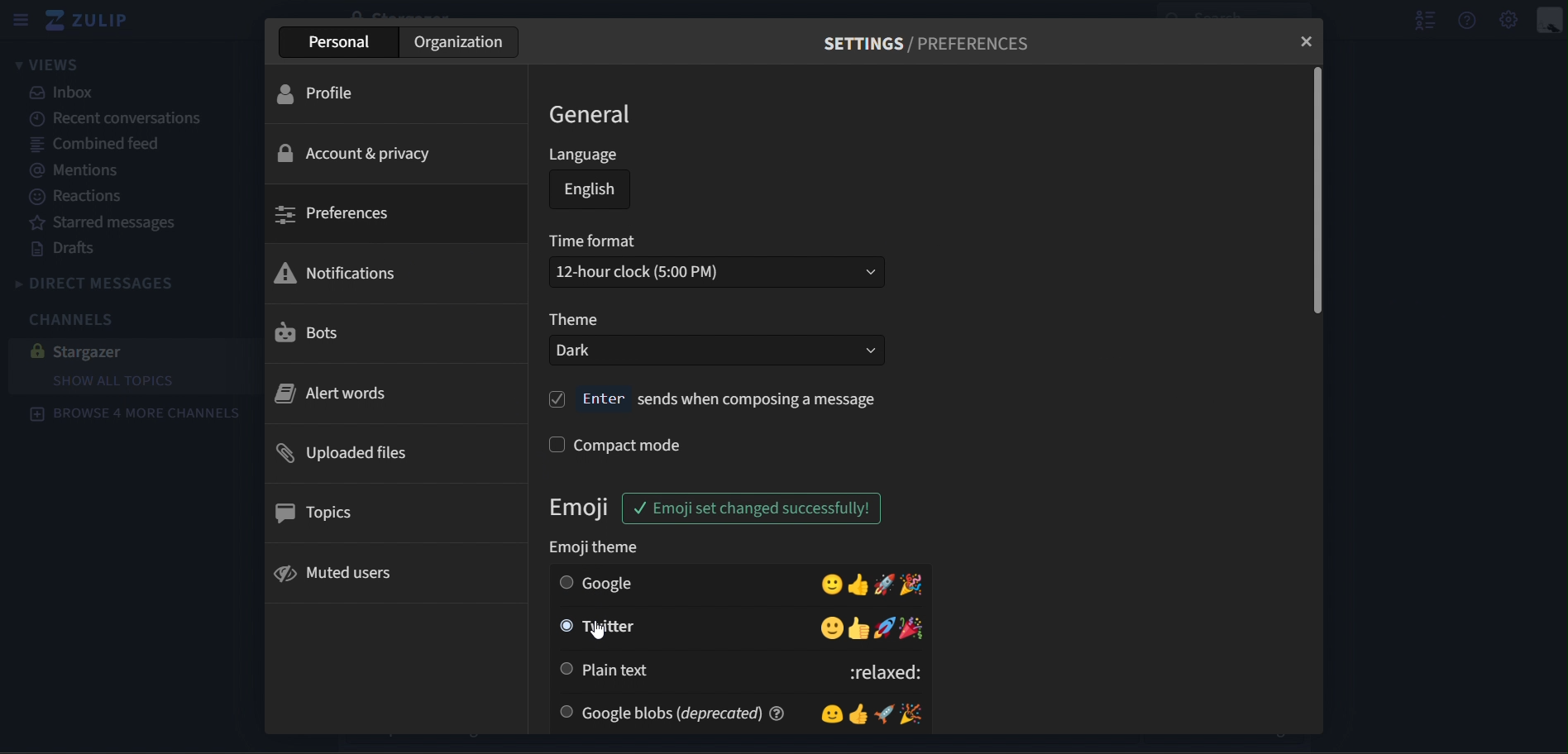  Describe the element at coordinates (742, 628) in the screenshot. I see `twitter` at that location.